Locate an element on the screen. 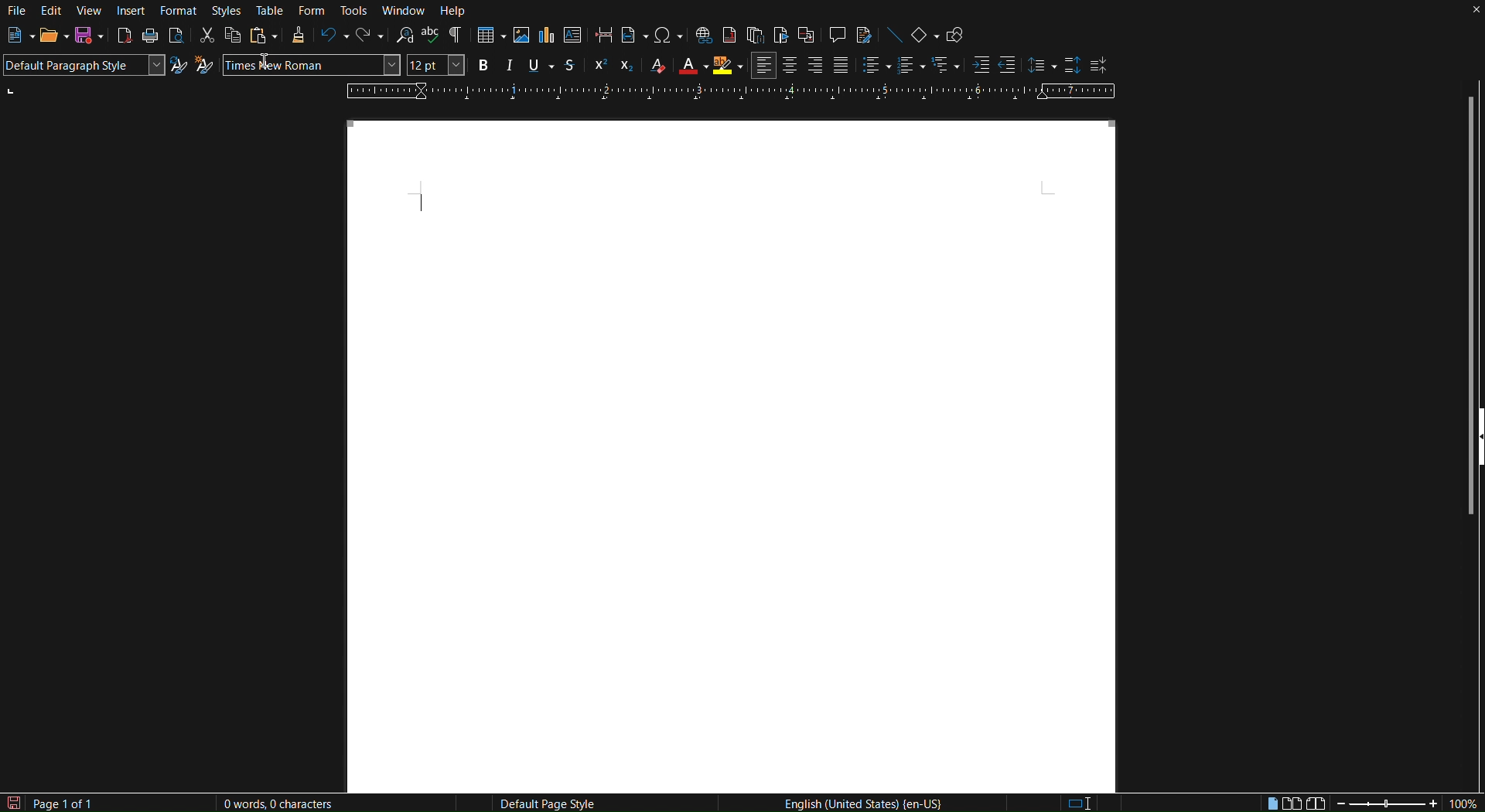 This screenshot has width=1485, height=812. Single page view is located at coordinates (1271, 801).